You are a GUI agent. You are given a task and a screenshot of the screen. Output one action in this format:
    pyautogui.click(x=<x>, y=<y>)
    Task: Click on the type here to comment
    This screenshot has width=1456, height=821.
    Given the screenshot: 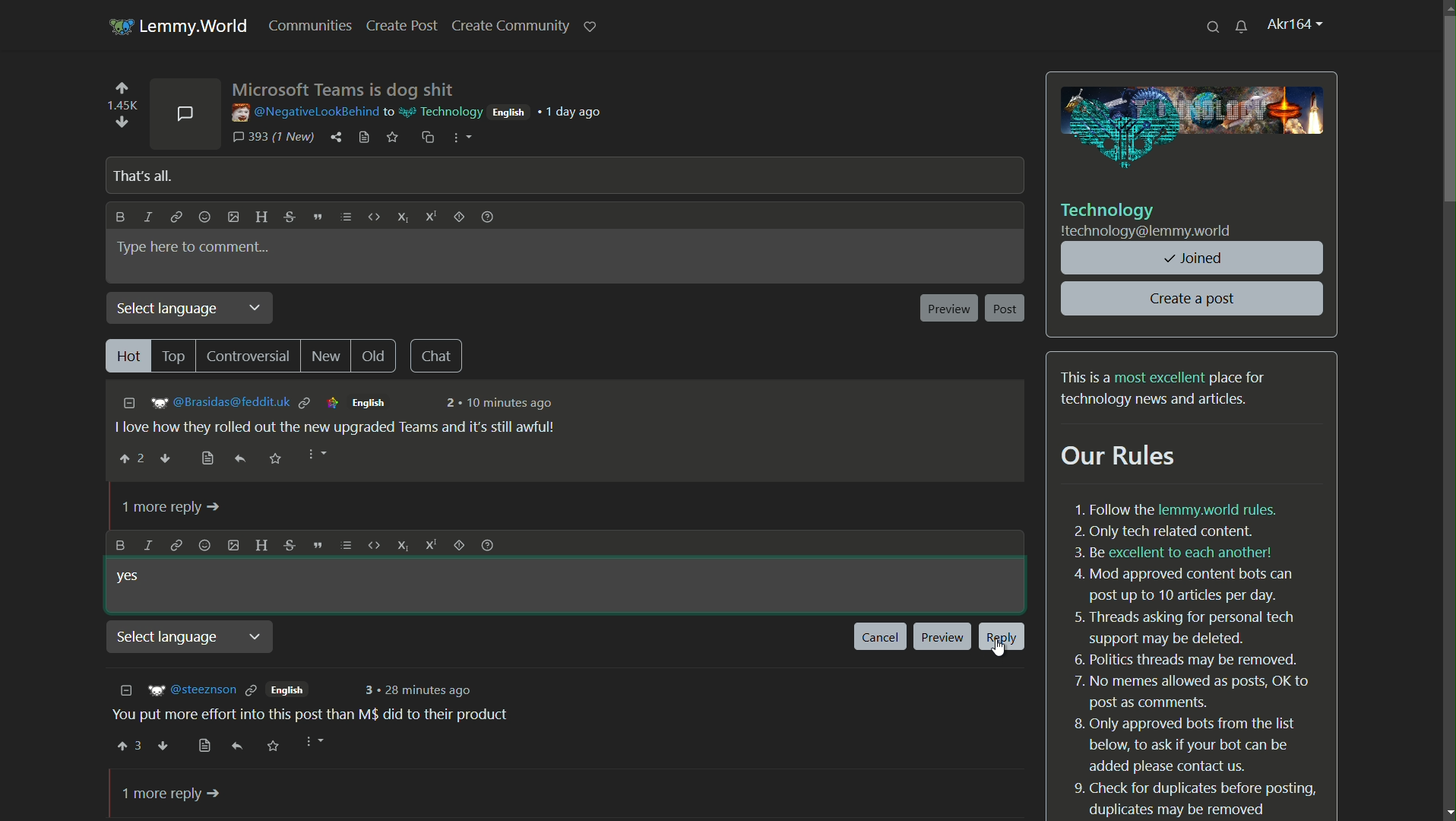 What is the action you would take?
    pyautogui.click(x=194, y=247)
    